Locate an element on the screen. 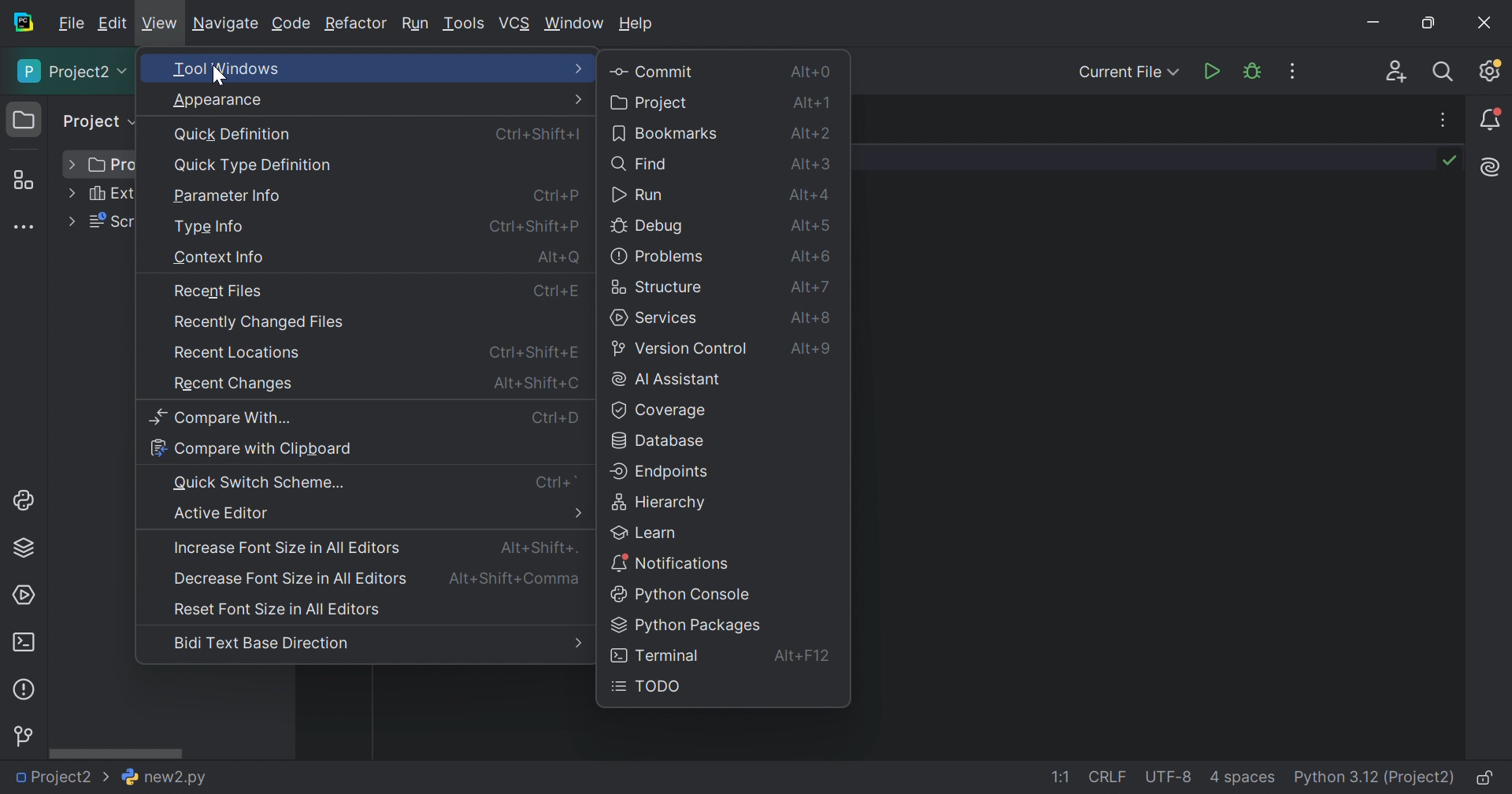 This screenshot has width=1512, height=794. Alt+8 is located at coordinates (815, 317).